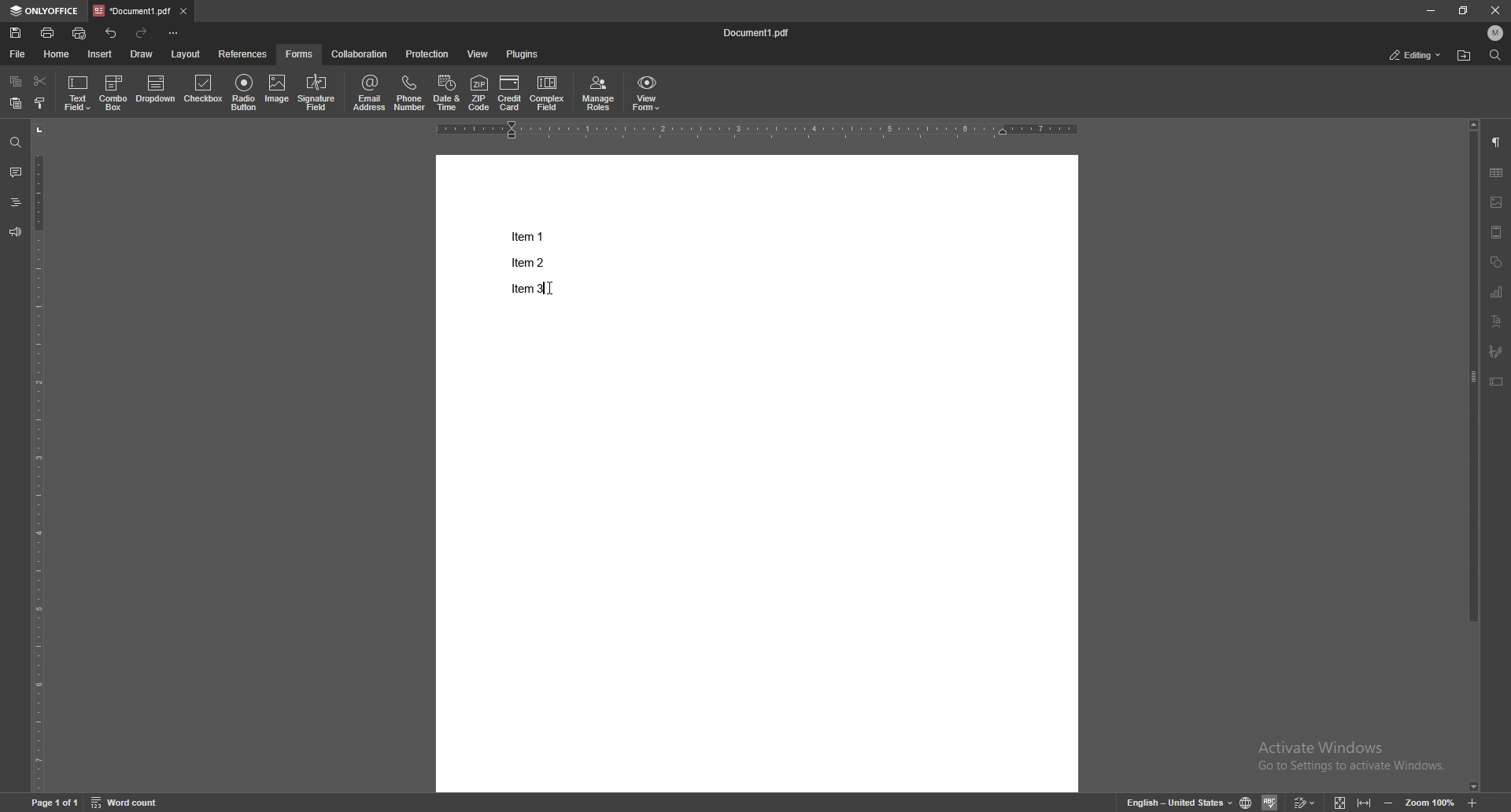  What do you see at coordinates (1178, 801) in the screenshot?
I see `change text language` at bounding box center [1178, 801].